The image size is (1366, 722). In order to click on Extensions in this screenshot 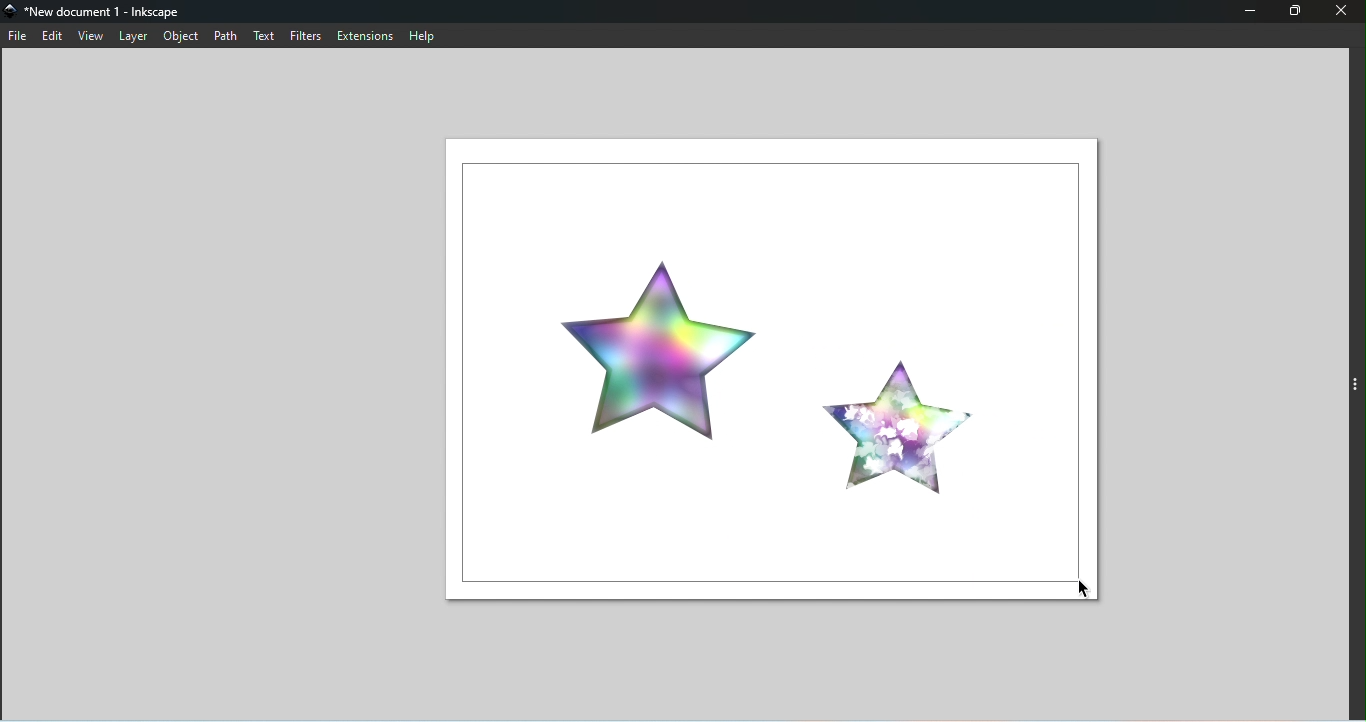, I will do `click(366, 35)`.